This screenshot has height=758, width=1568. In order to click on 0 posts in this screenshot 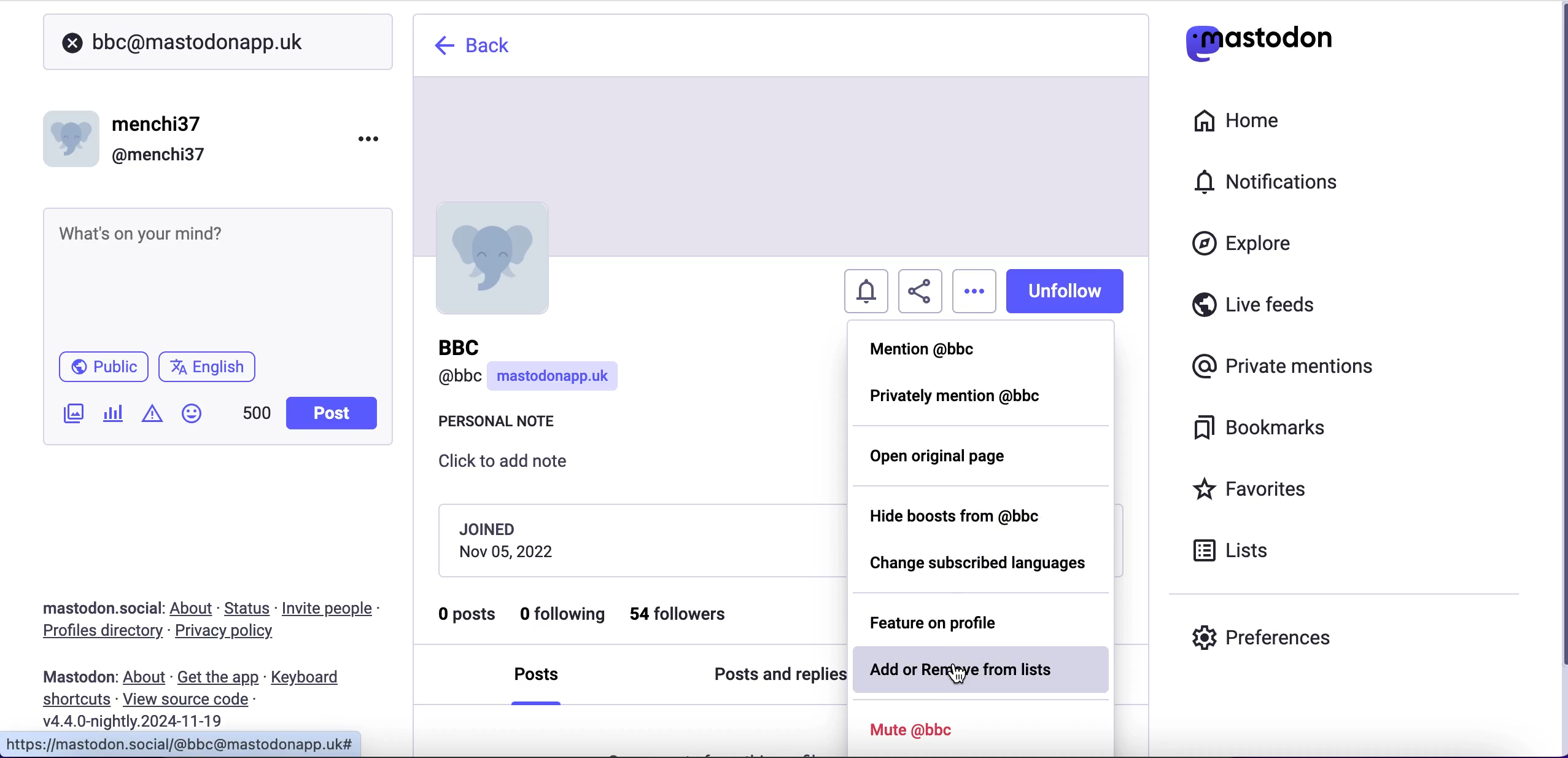, I will do `click(468, 619)`.